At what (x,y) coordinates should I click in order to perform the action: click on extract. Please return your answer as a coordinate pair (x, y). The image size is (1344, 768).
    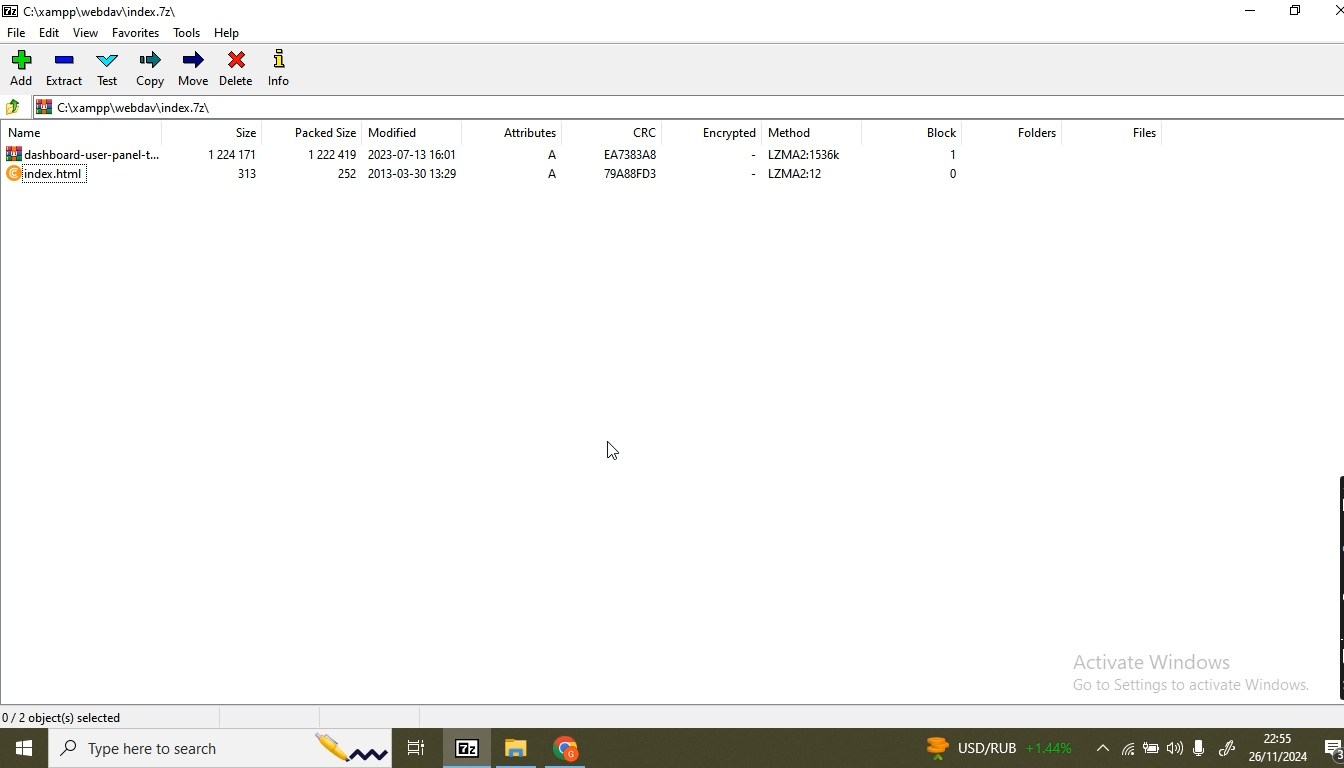
    Looking at the image, I should click on (67, 70).